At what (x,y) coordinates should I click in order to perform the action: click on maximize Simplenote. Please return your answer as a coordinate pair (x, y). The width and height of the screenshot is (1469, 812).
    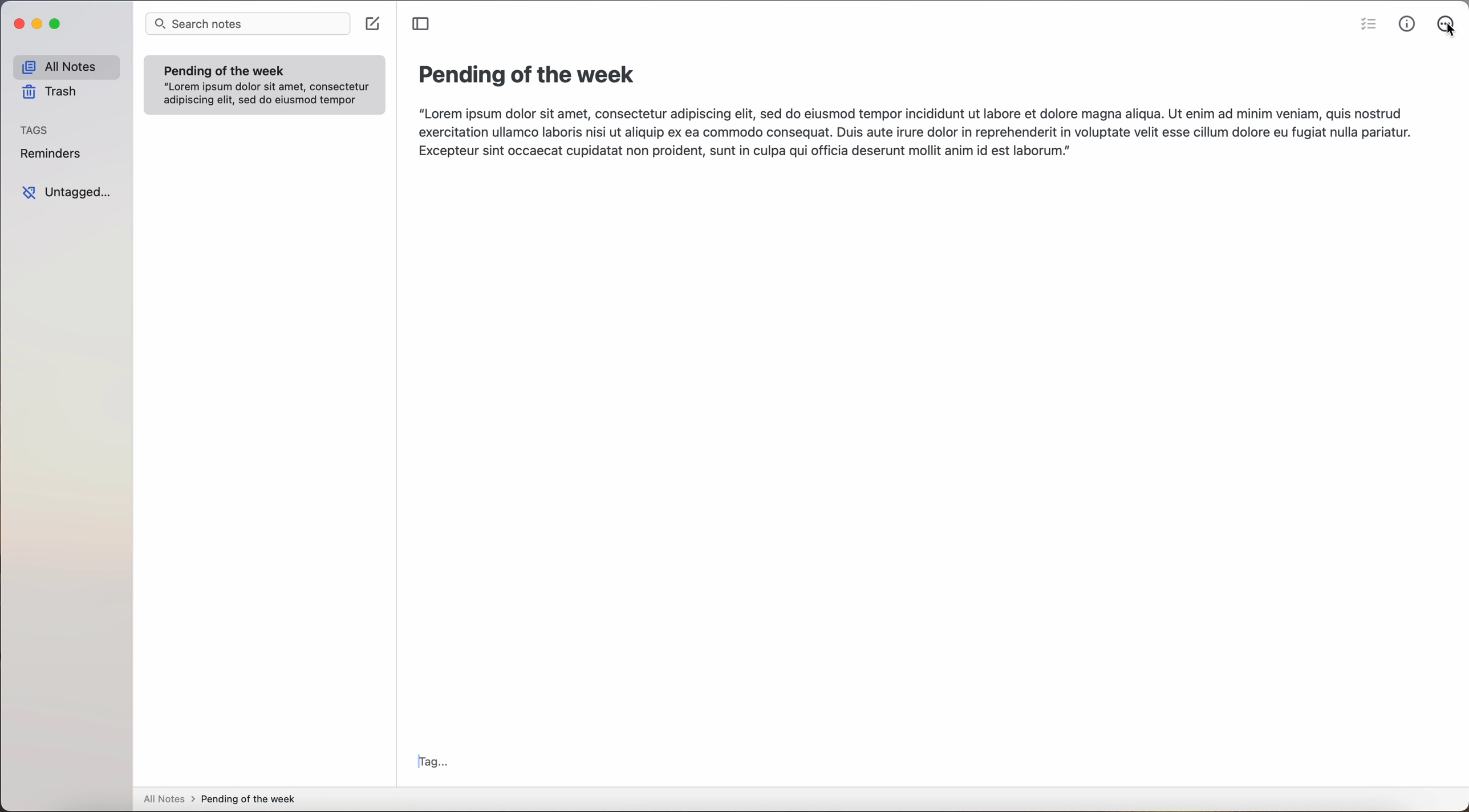
    Looking at the image, I should click on (59, 24).